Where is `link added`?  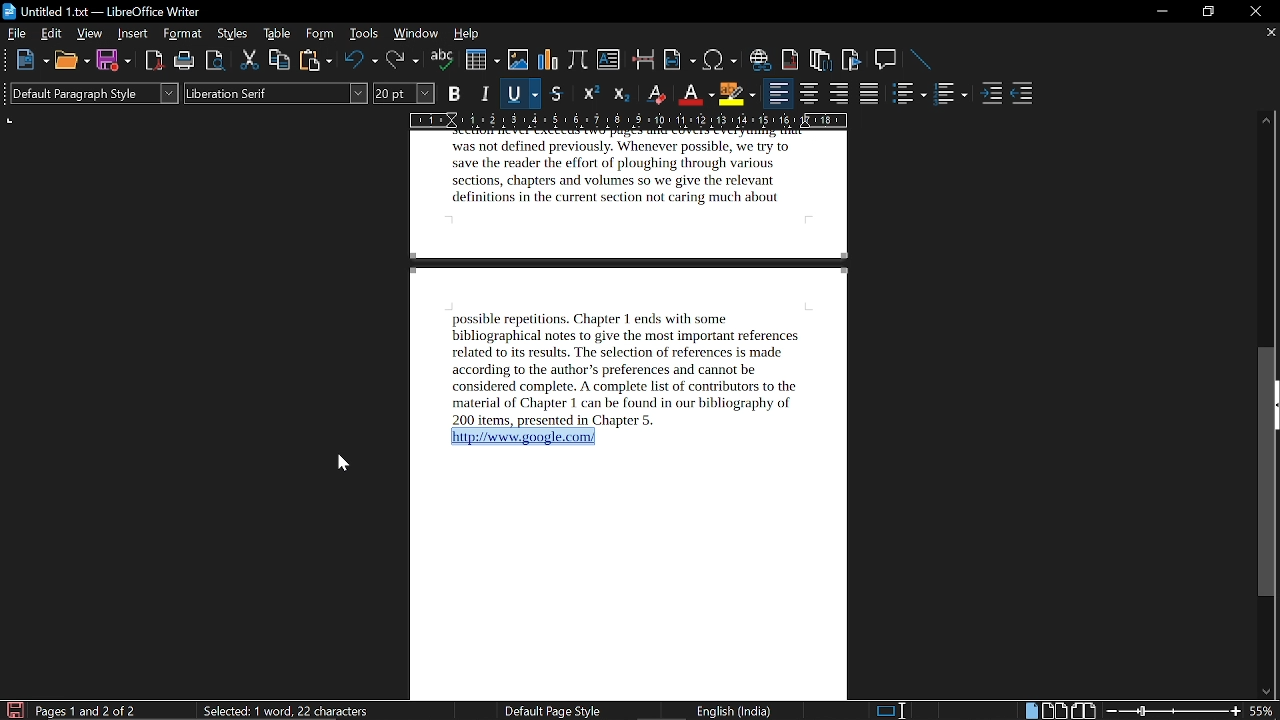
link added is located at coordinates (527, 437).